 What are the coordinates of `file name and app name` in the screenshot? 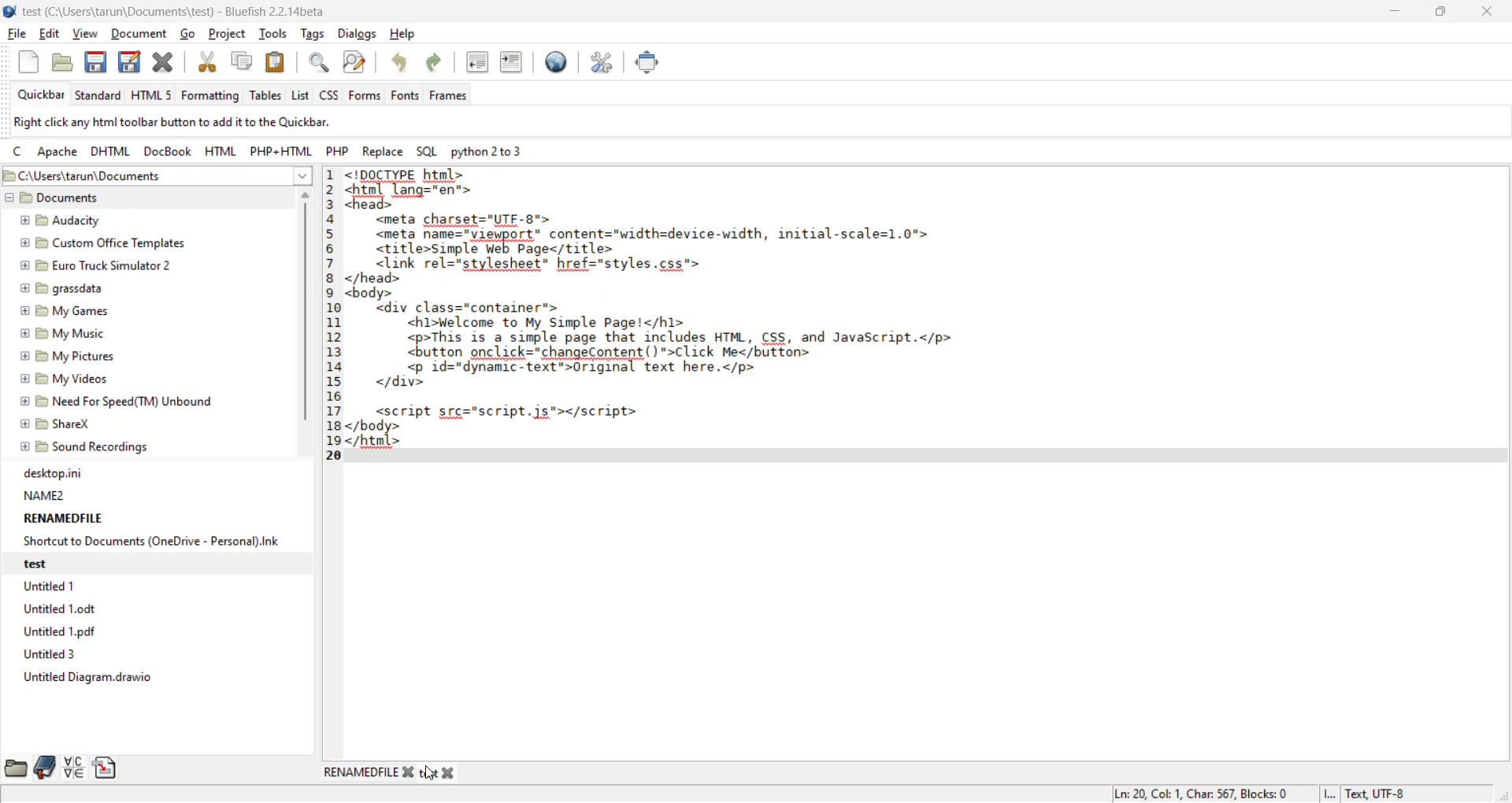 It's located at (170, 9).